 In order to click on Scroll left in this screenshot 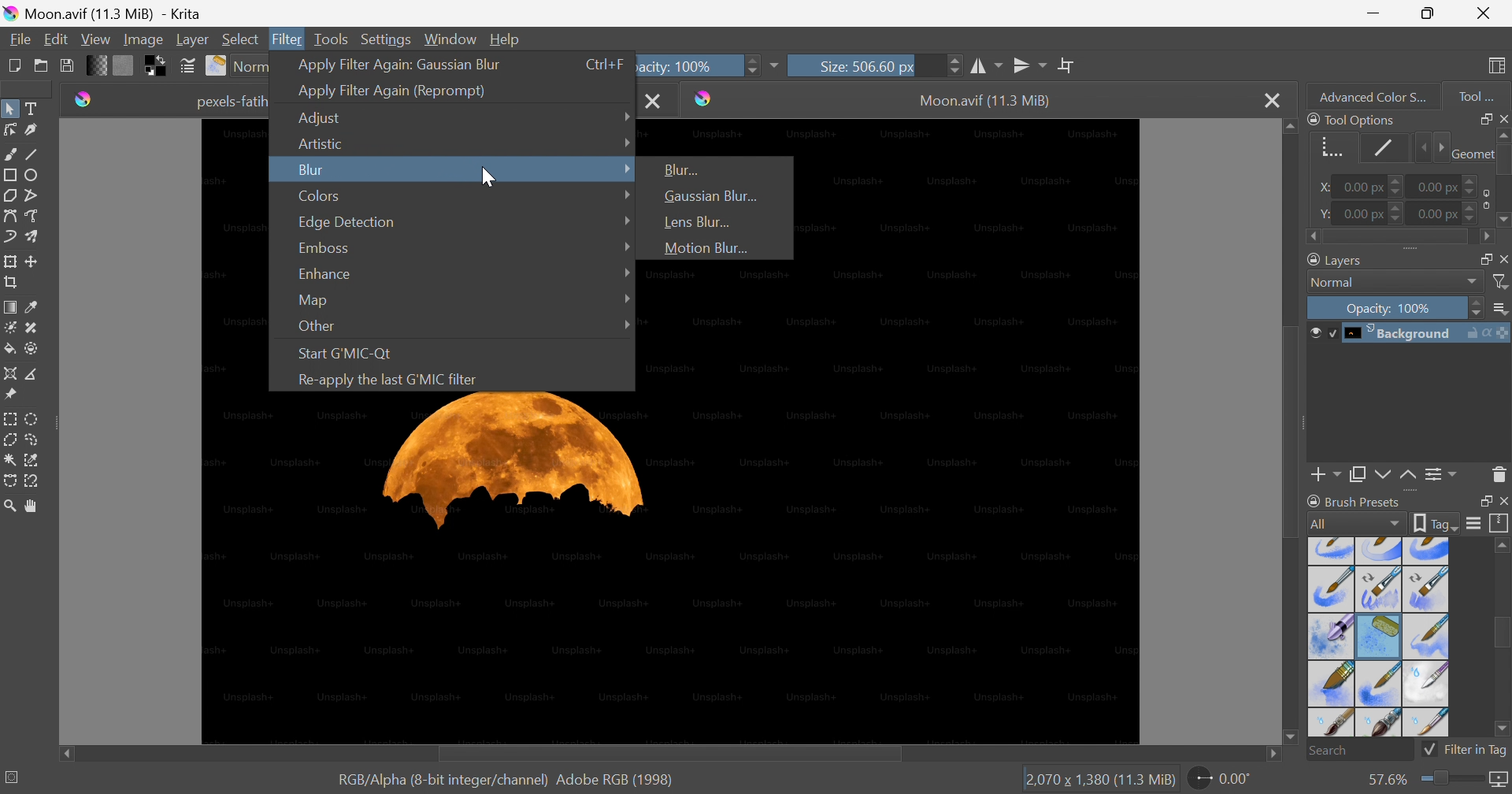, I will do `click(65, 751)`.